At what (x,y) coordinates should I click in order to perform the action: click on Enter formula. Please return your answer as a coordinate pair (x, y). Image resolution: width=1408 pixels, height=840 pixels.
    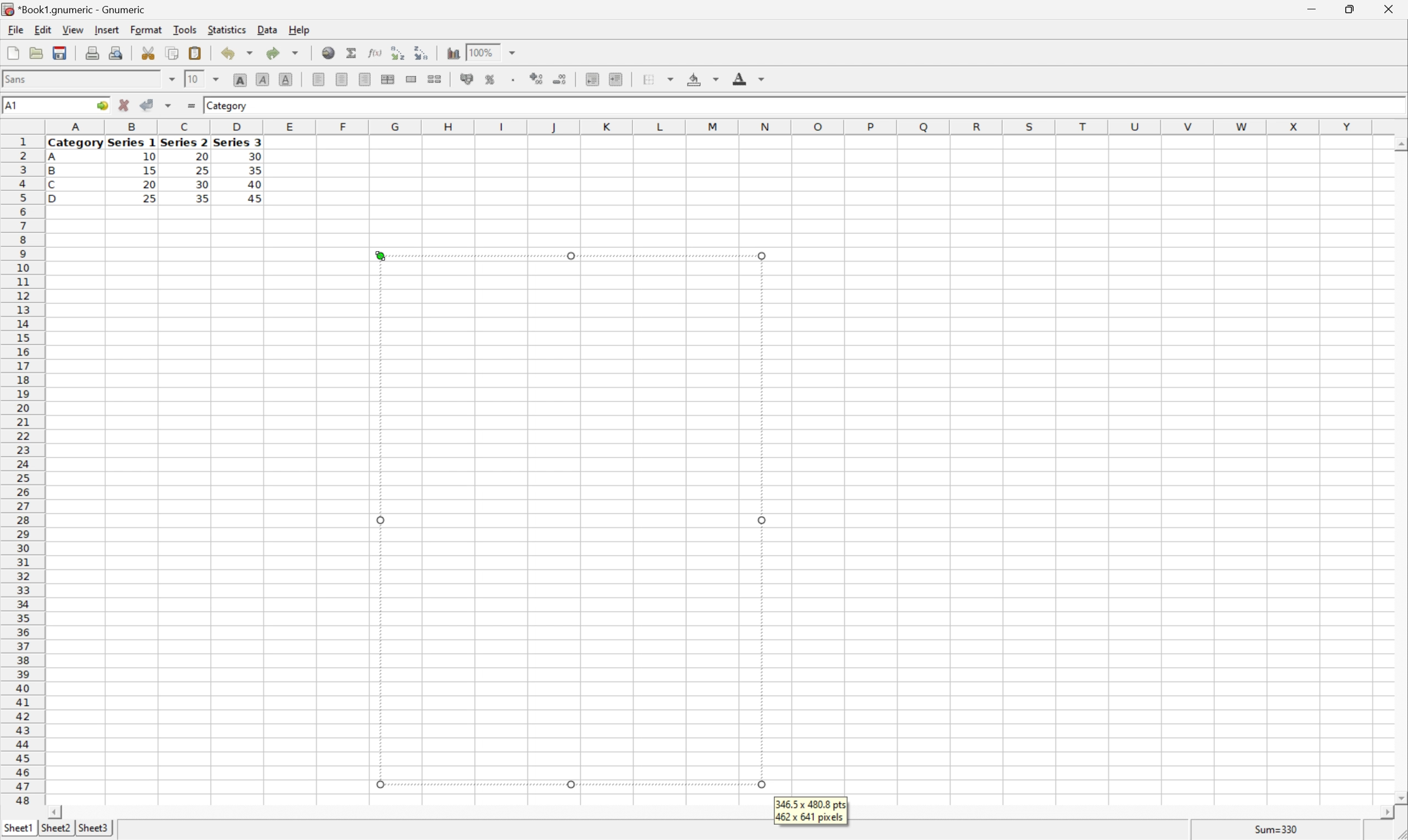
    Looking at the image, I should click on (193, 104).